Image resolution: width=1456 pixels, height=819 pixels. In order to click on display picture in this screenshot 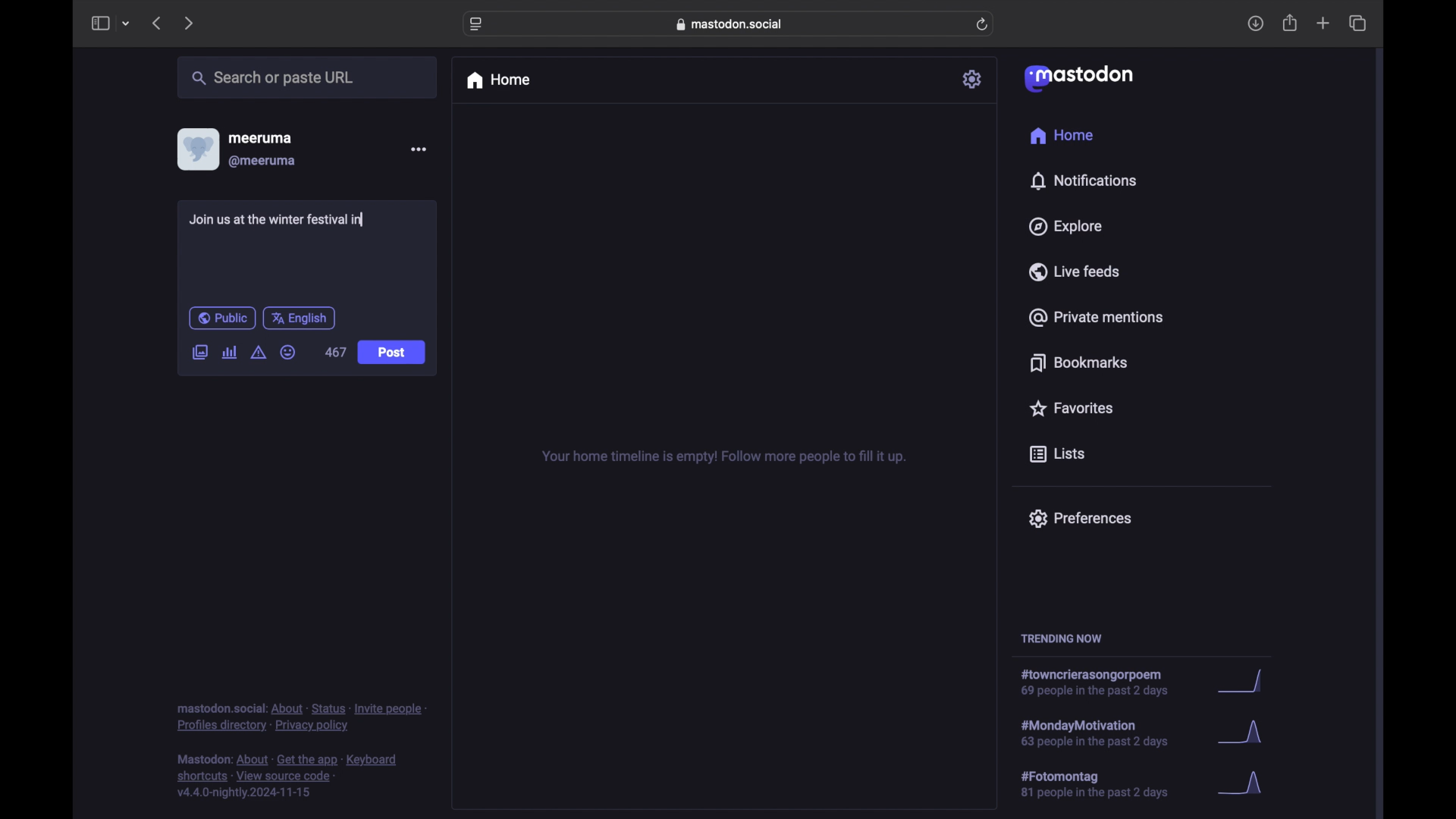, I will do `click(196, 149)`.